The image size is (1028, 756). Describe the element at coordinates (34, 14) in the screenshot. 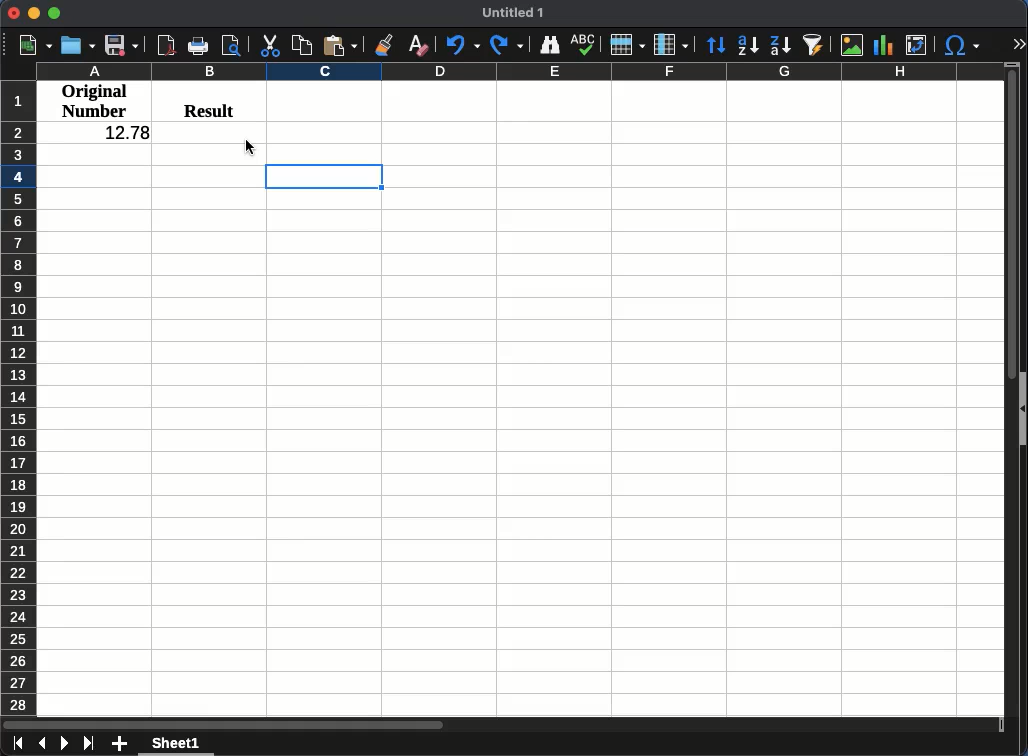

I see `Minimize` at that location.